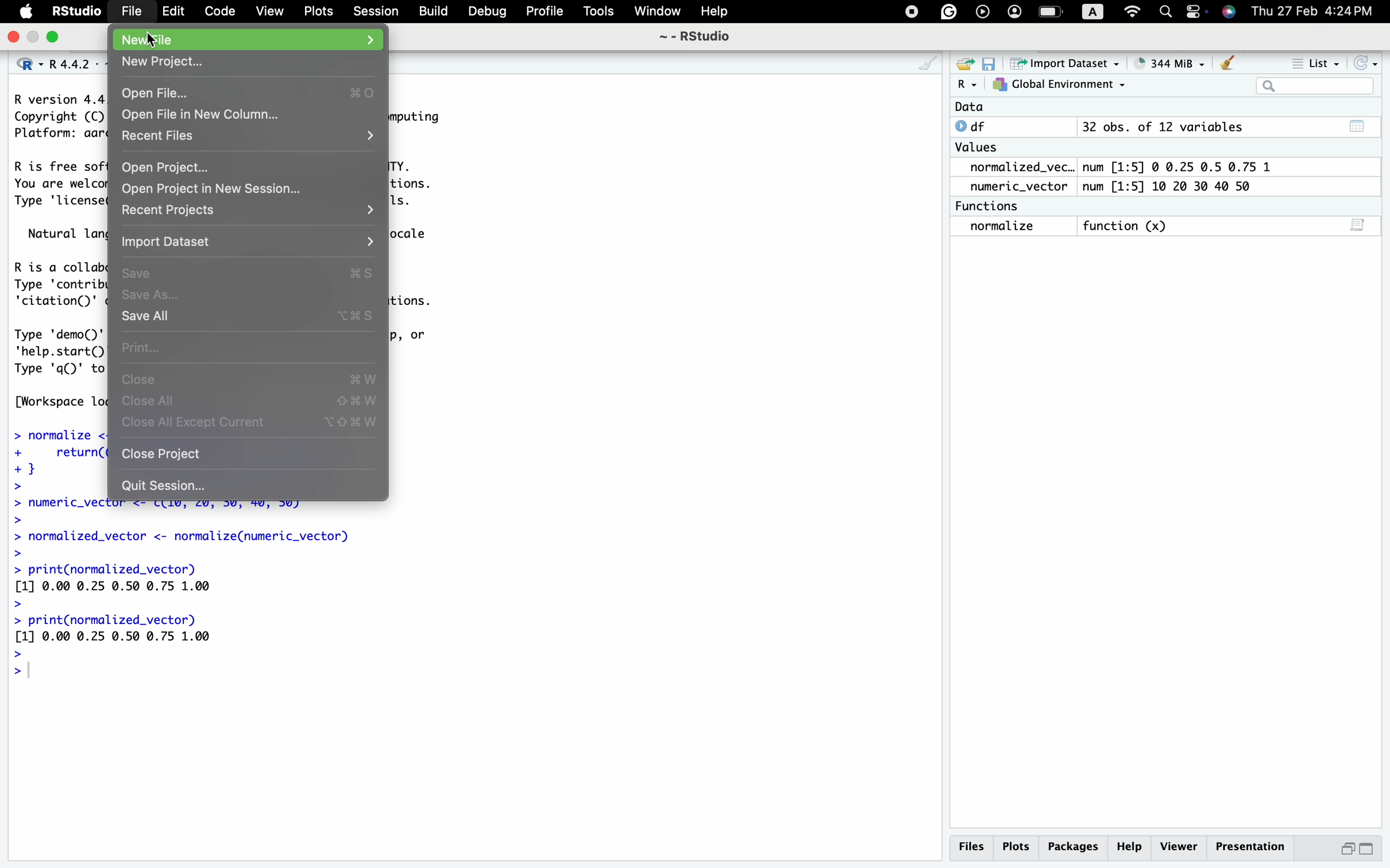  Describe the element at coordinates (1164, 61) in the screenshot. I see `344MiB` at that location.